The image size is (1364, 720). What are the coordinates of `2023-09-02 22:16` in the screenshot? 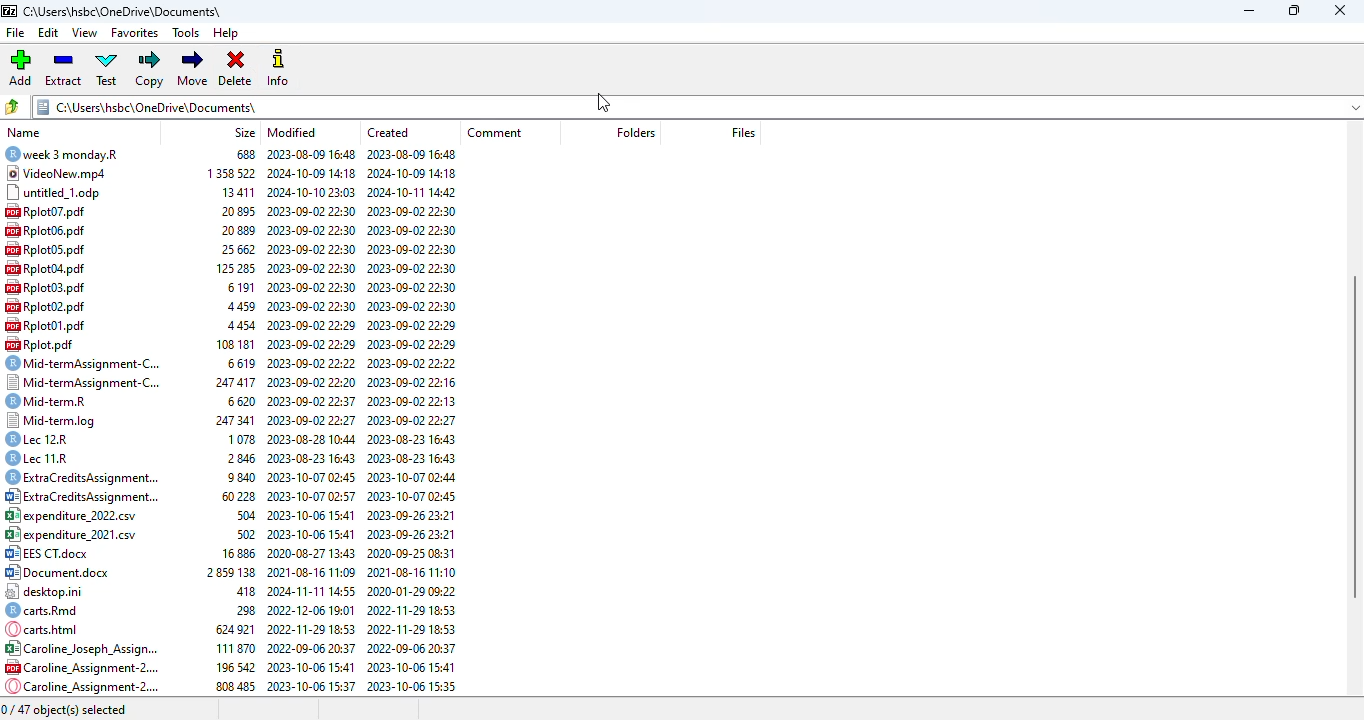 It's located at (414, 382).